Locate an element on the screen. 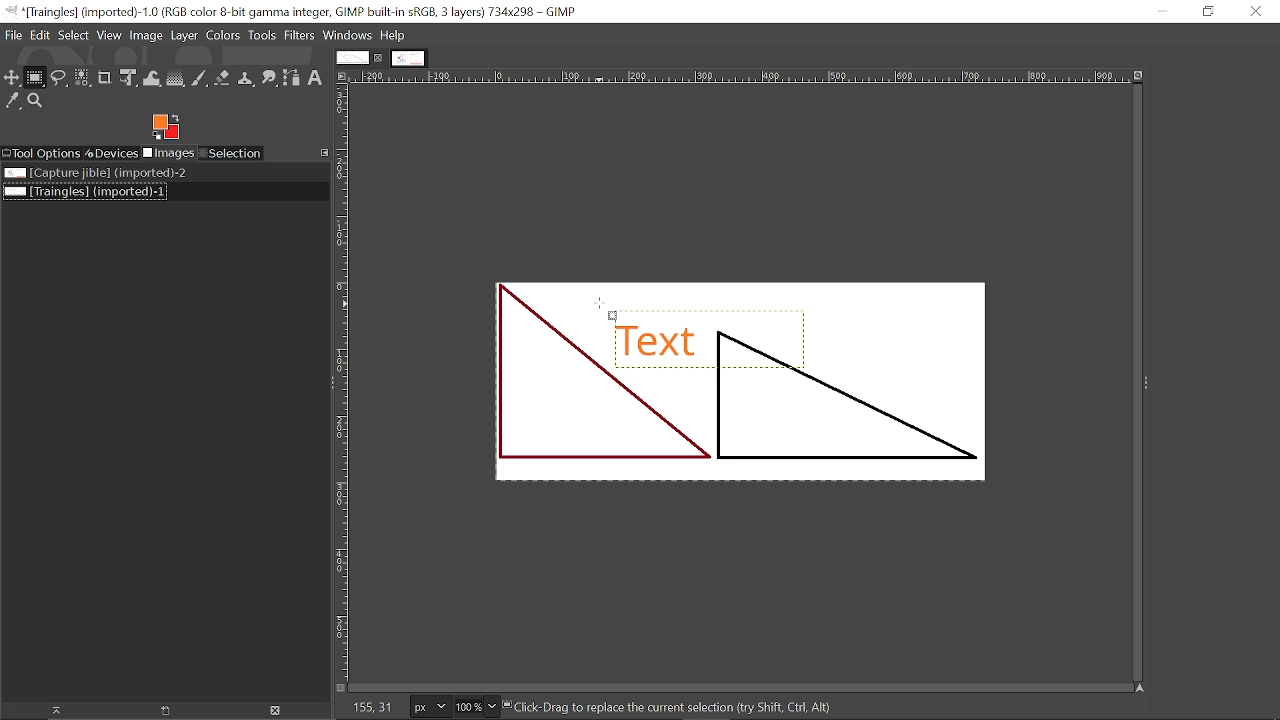 The width and height of the screenshot is (1280, 720). Unified transform tool is located at coordinates (128, 77).